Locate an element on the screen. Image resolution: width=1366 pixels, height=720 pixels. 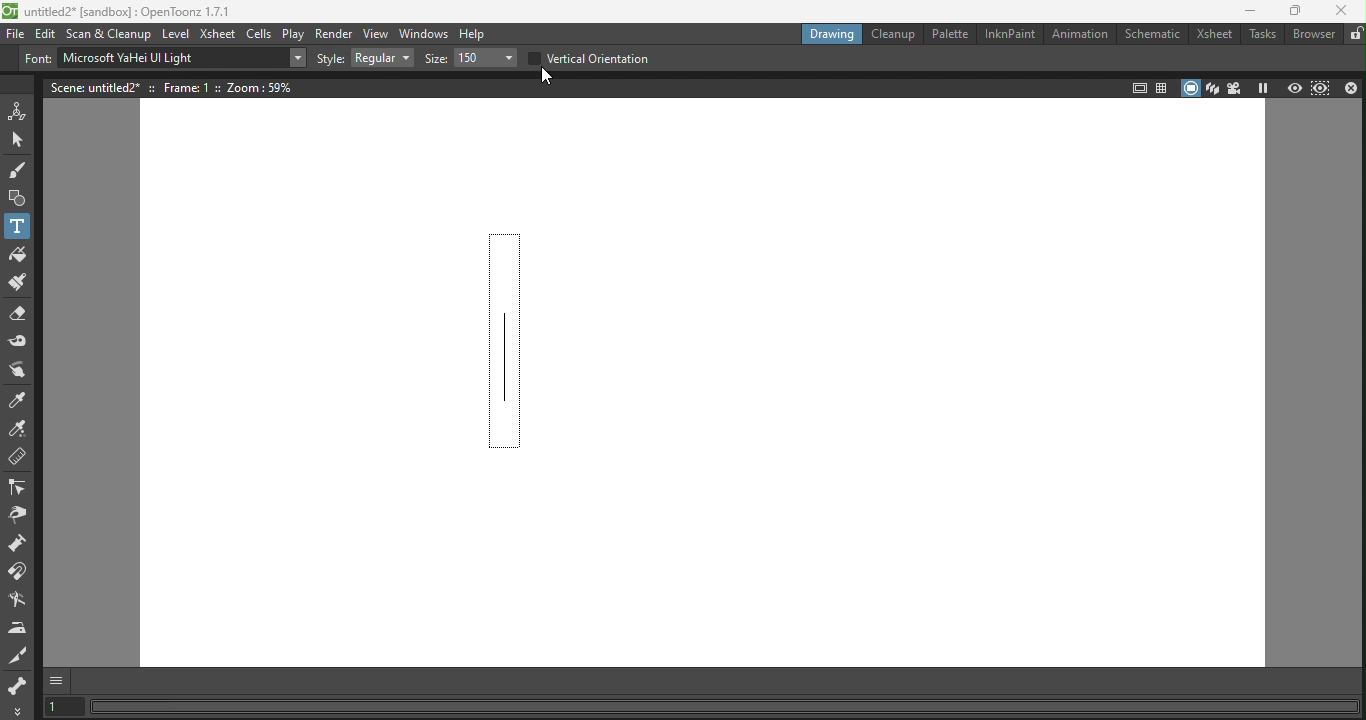
Level is located at coordinates (179, 36).